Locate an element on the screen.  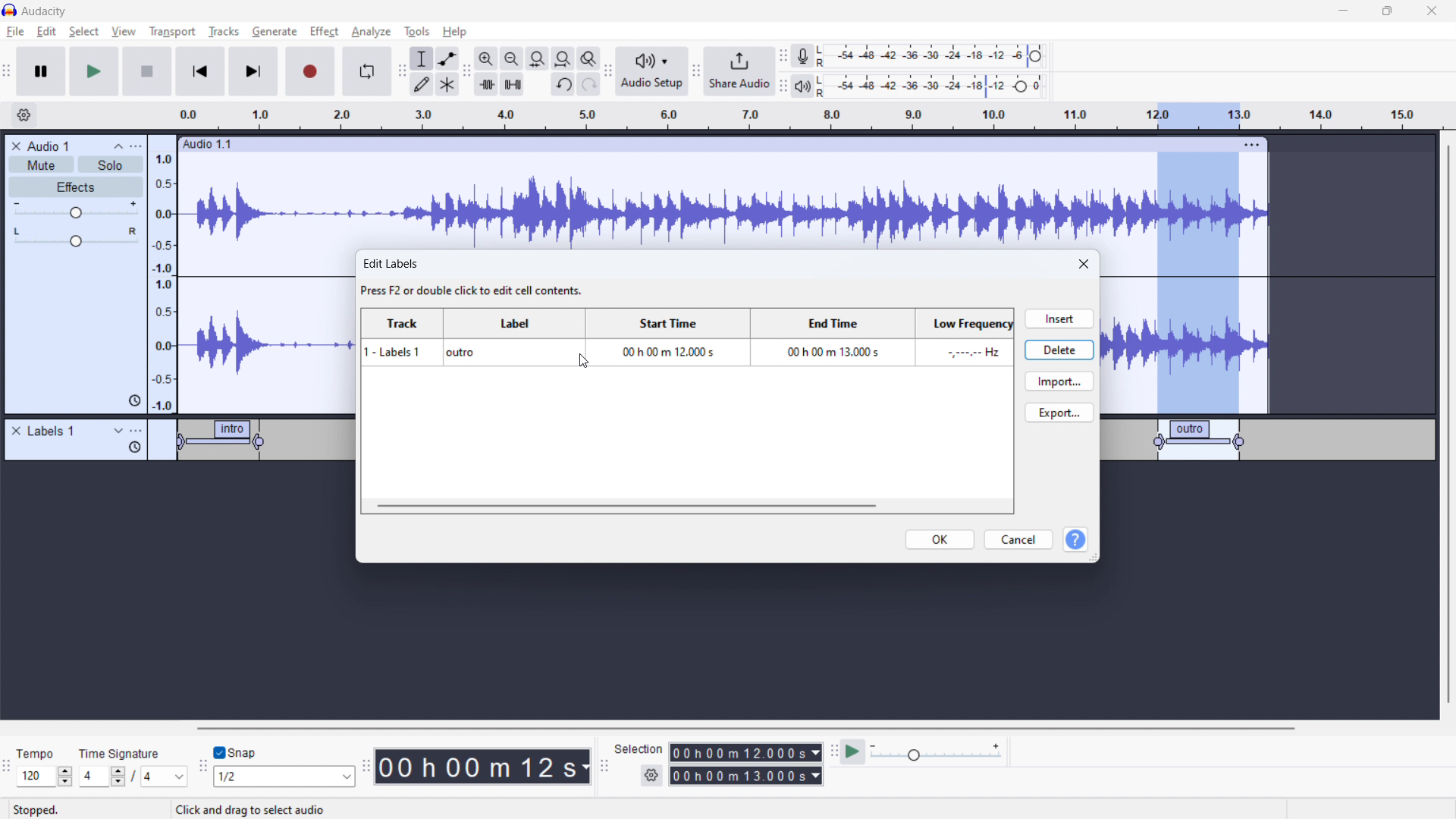
select snapping is located at coordinates (284, 776).